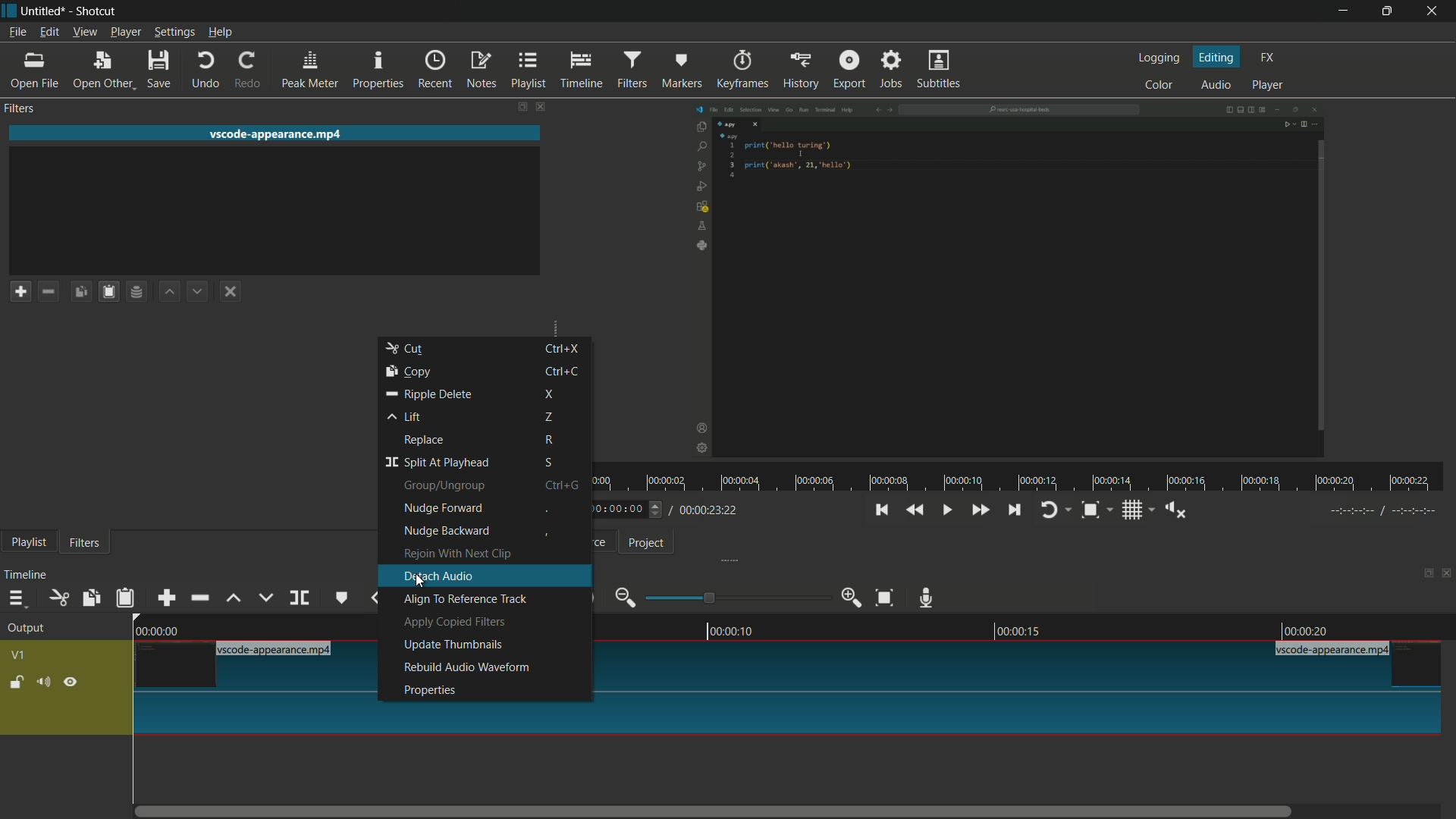  I want to click on change layout, so click(1423, 572).